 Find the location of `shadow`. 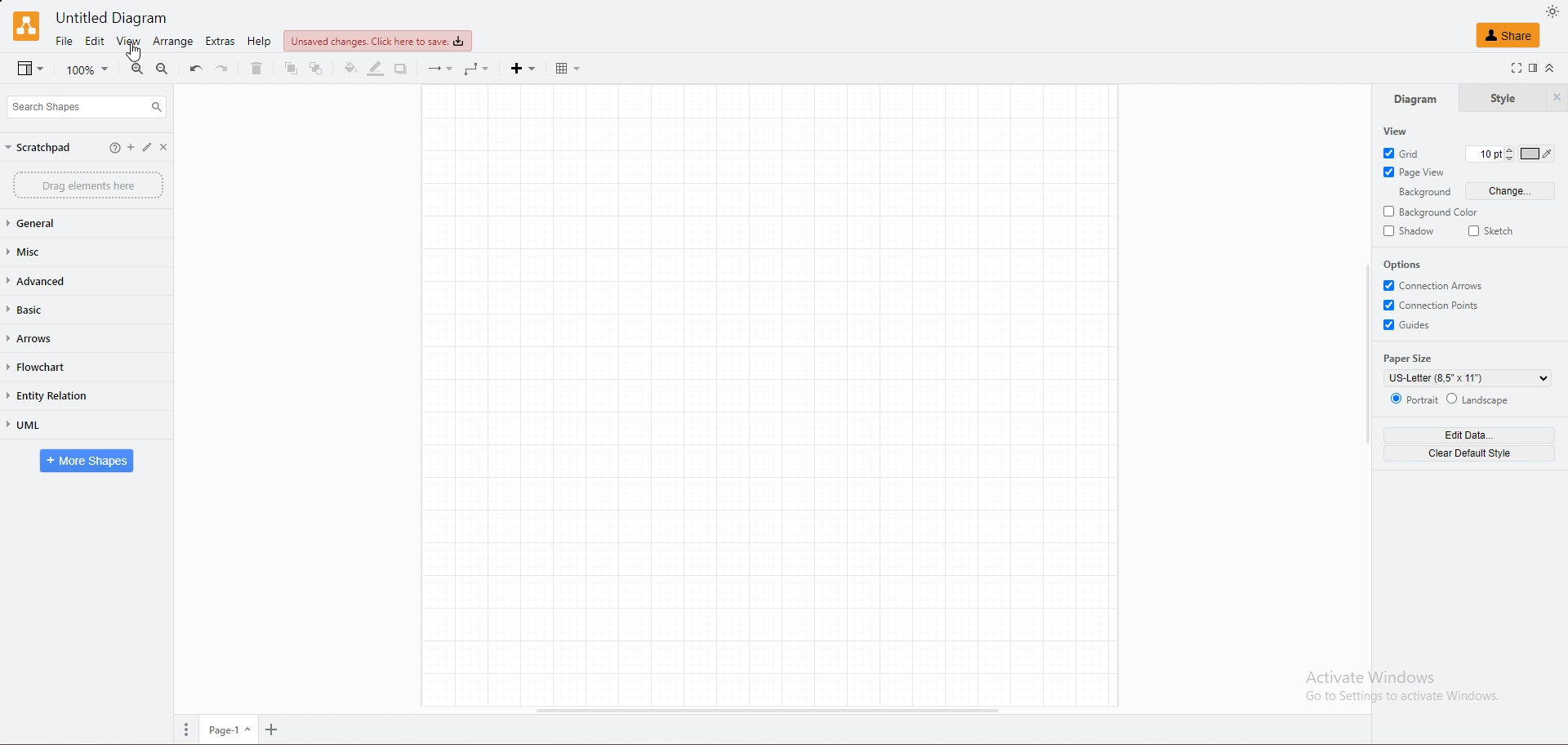

shadow is located at coordinates (1410, 230).